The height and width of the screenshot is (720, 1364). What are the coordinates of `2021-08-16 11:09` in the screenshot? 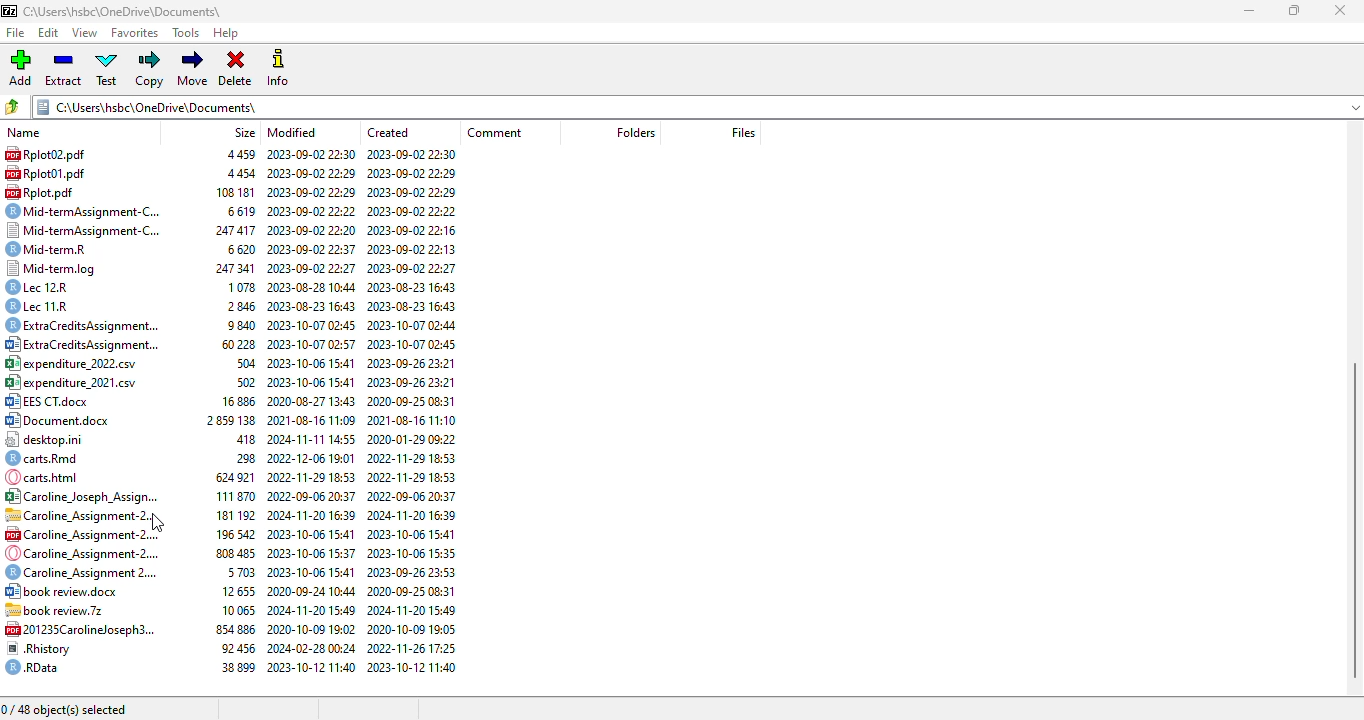 It's located at (311, 421).